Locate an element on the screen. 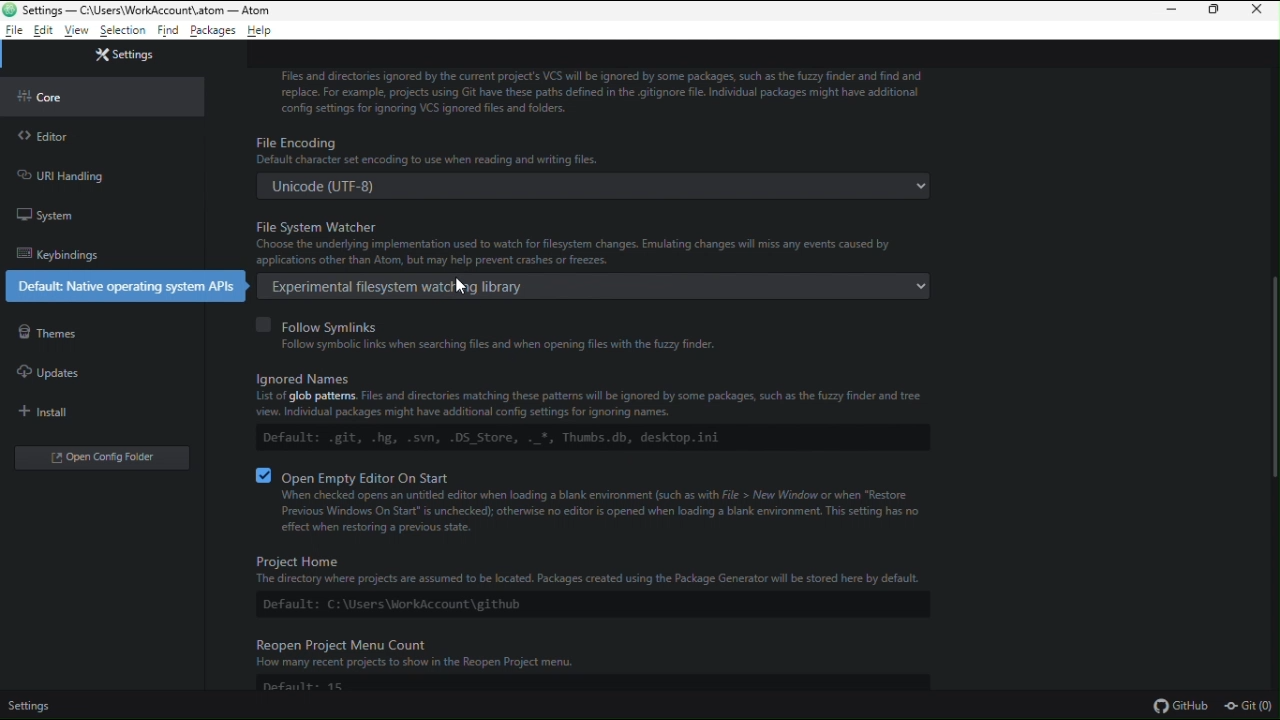 The image size is (1280, 720). github is located at coordinates (1179, 705).